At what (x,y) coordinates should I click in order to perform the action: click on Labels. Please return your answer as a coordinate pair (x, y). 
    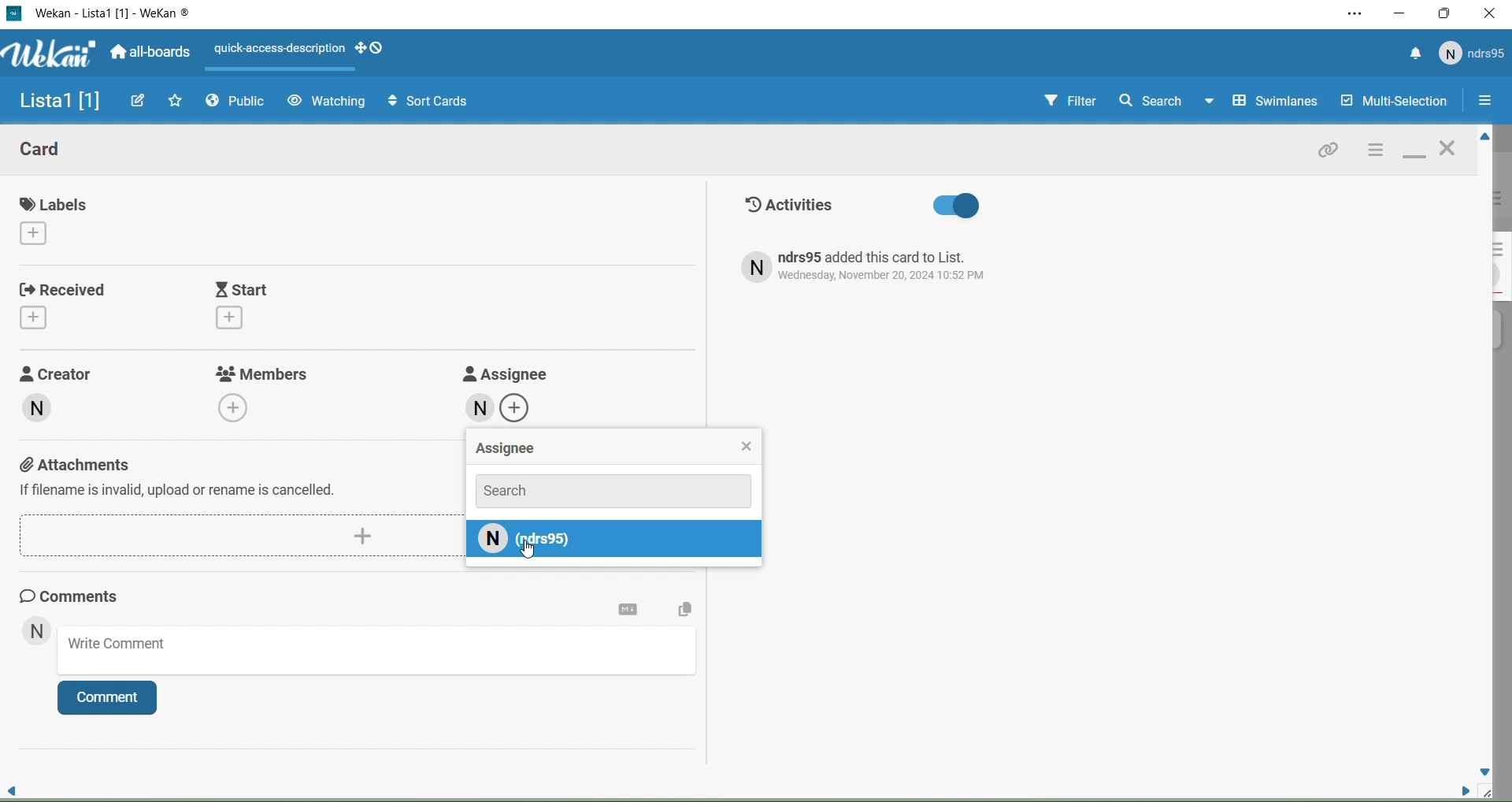
    Looking at the image, I should click on (60, 219).